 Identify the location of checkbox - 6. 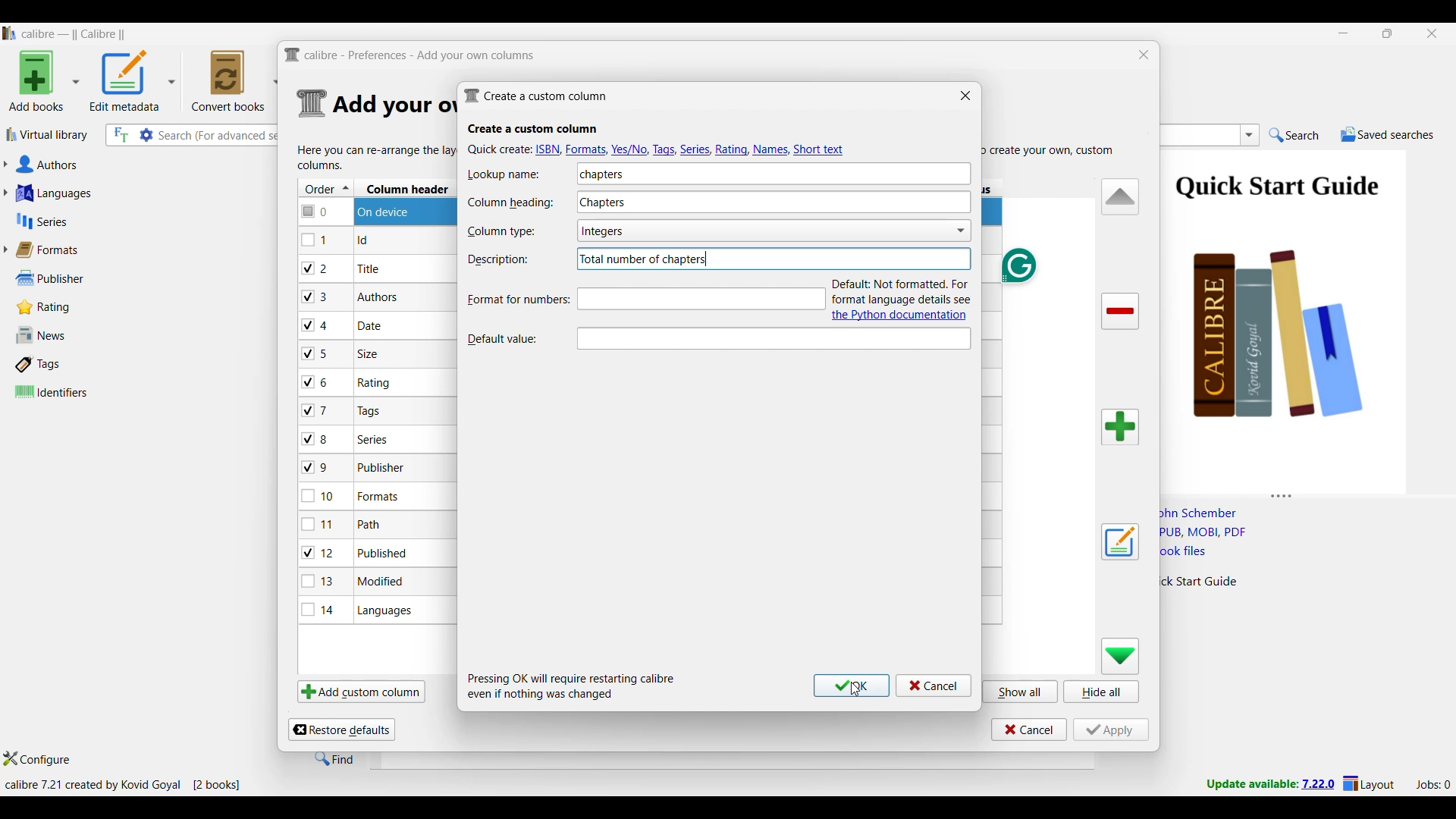
(318, 383).